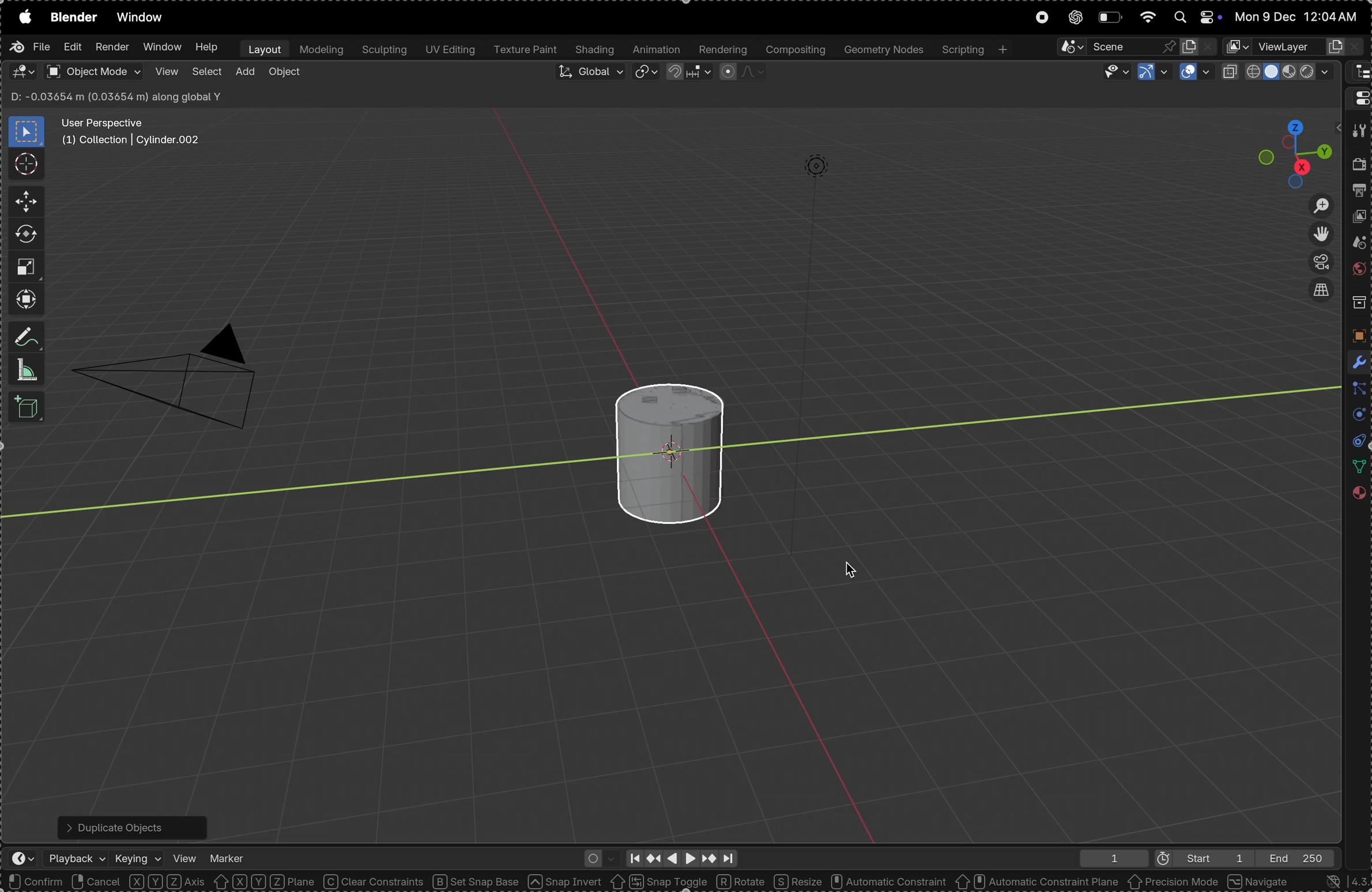 This screenshot has width=1372, height=892. I want to click on modelling, so click(321, 49).